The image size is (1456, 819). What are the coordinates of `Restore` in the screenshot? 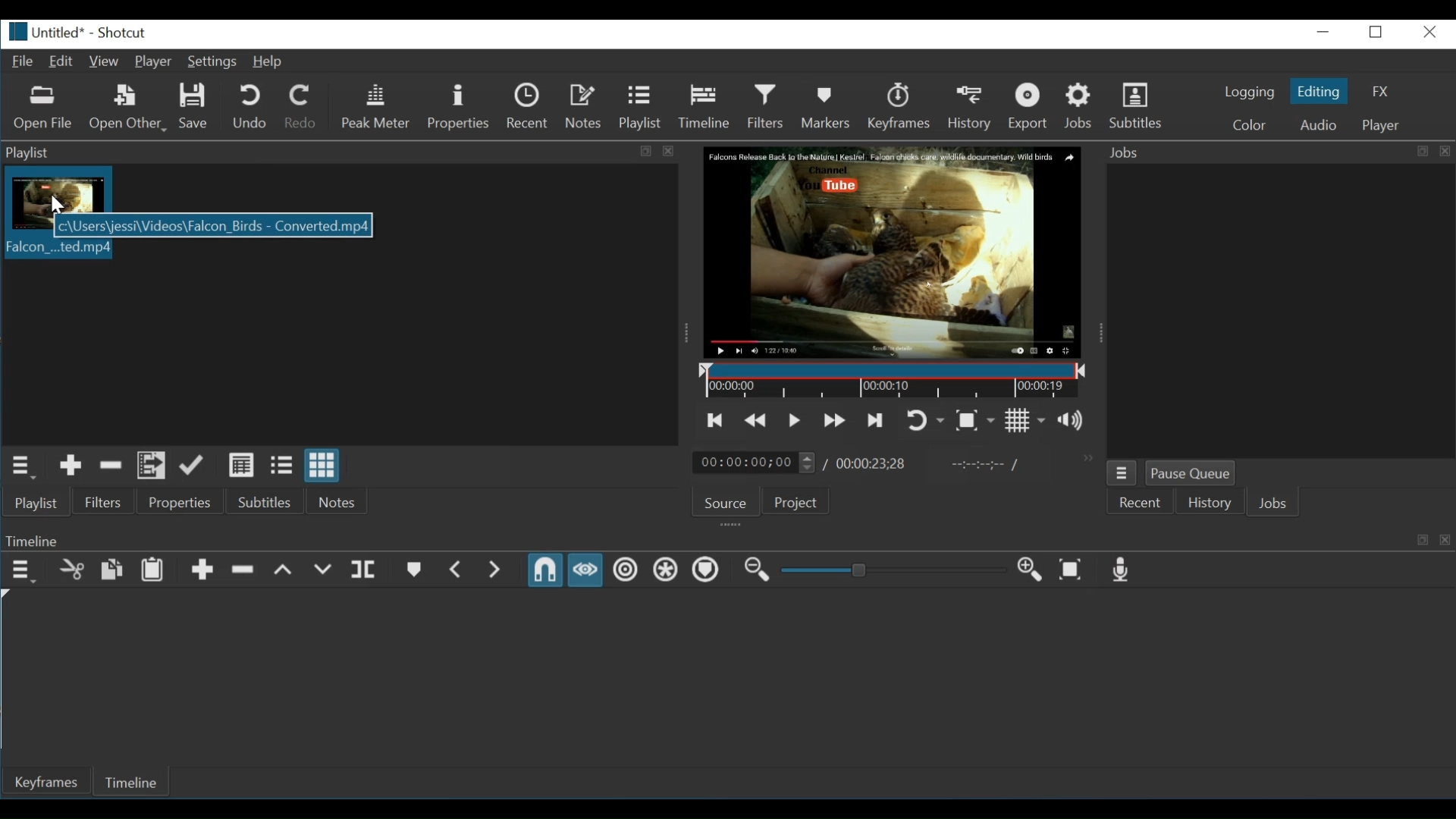 It's located at (1377, 32).